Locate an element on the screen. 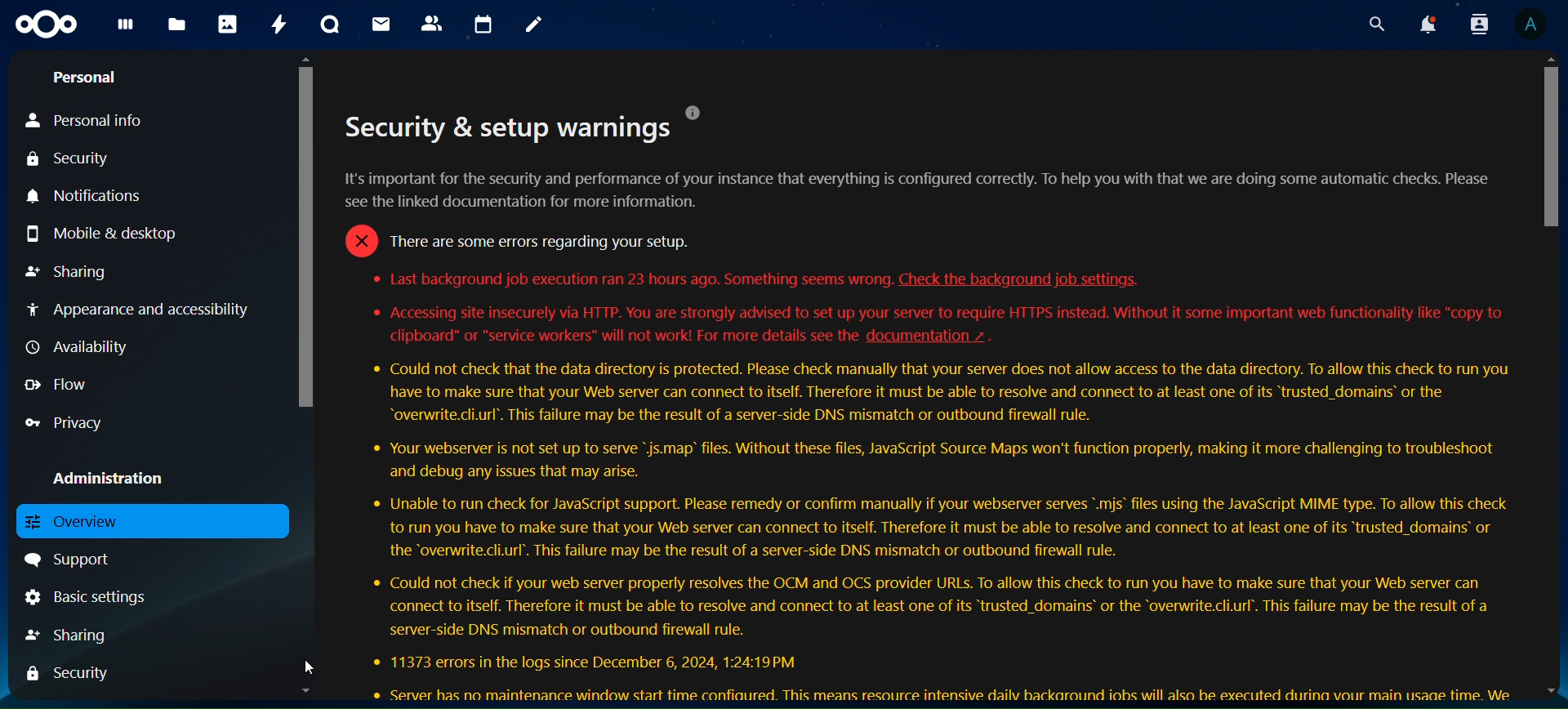  privacy is located at coordinates (65, 424).